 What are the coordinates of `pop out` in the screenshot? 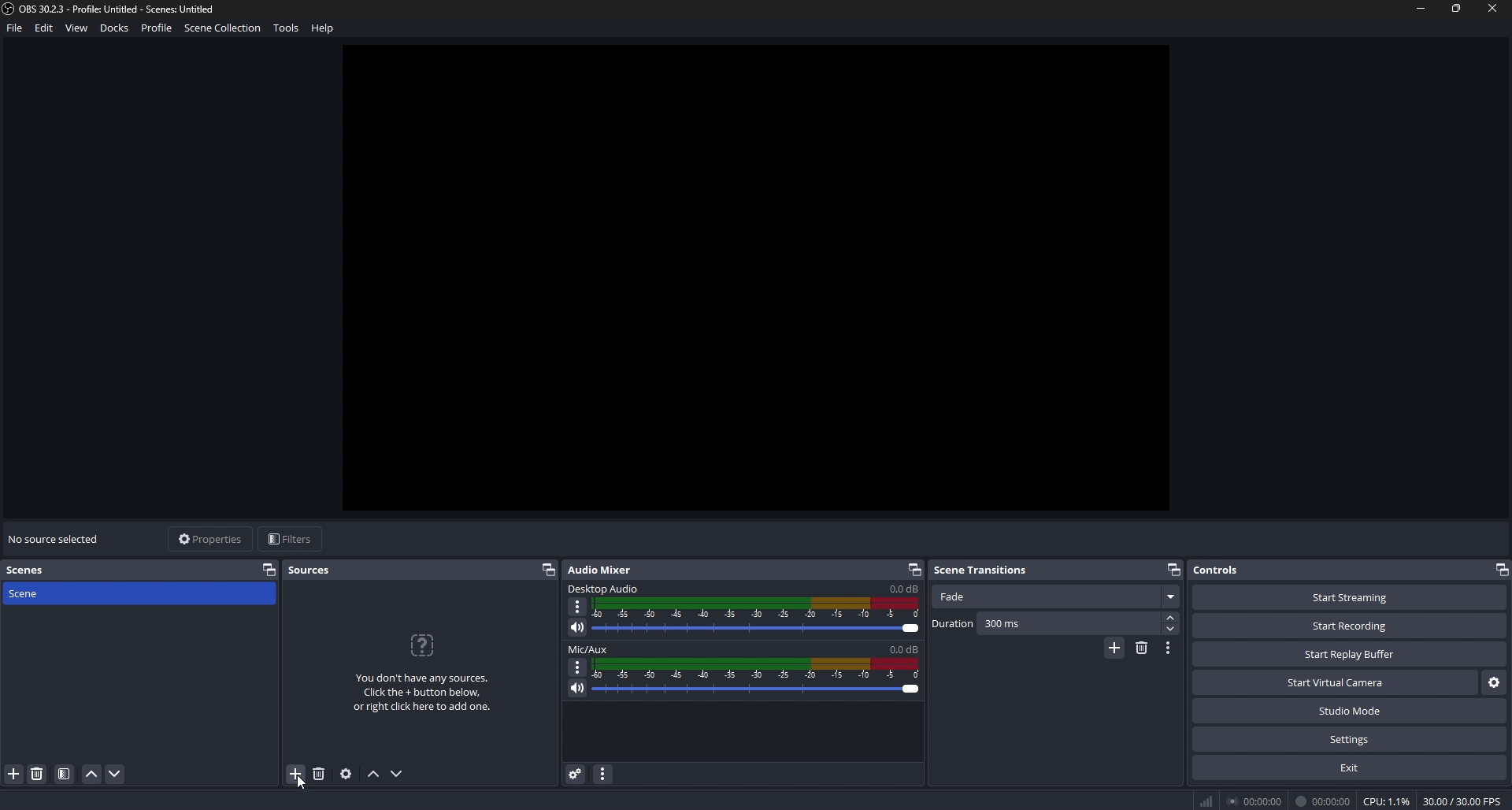 It's located at (549, 570).